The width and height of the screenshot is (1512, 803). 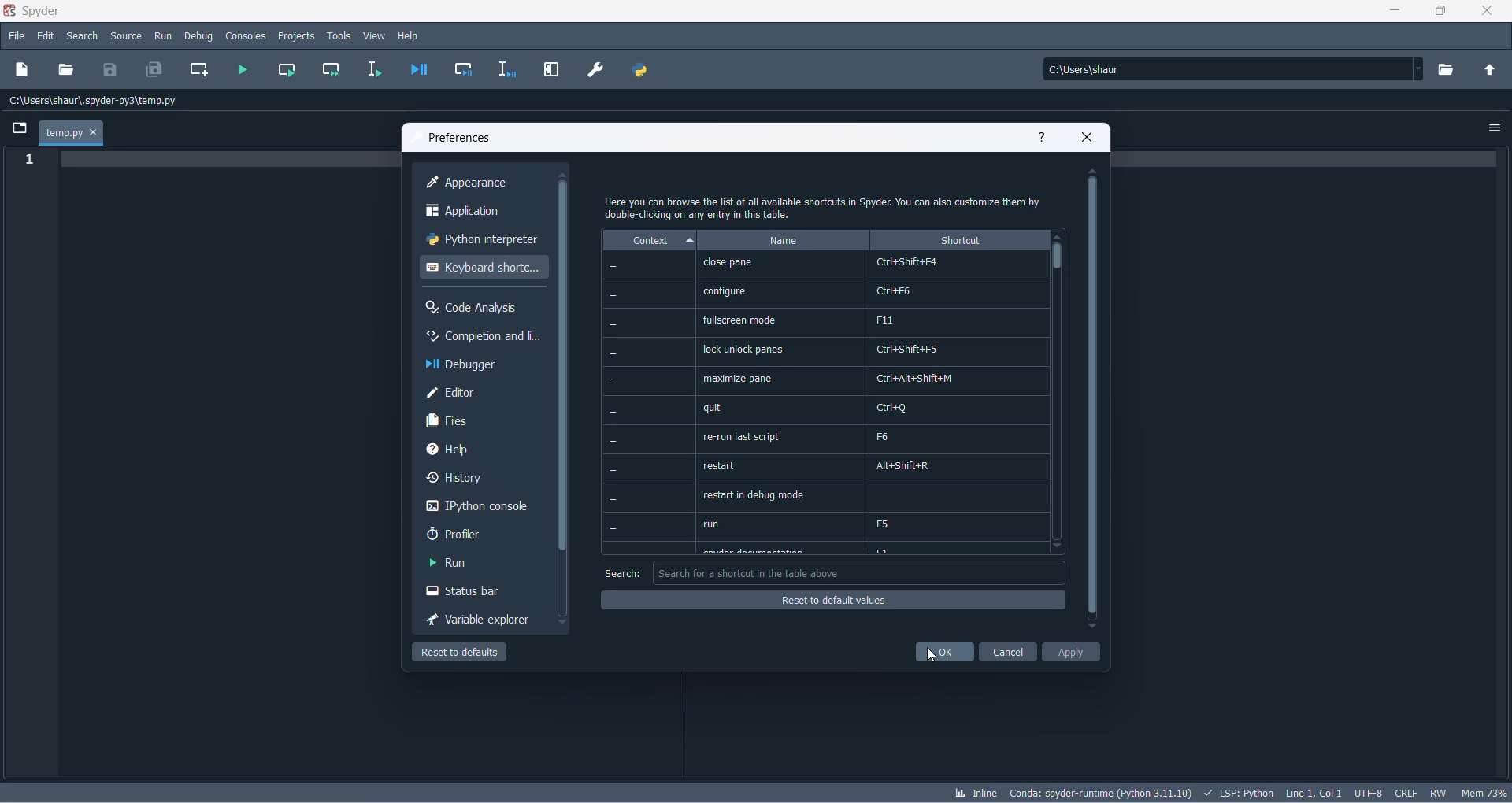 I want to click on cursor, so click(x=928, y=655).